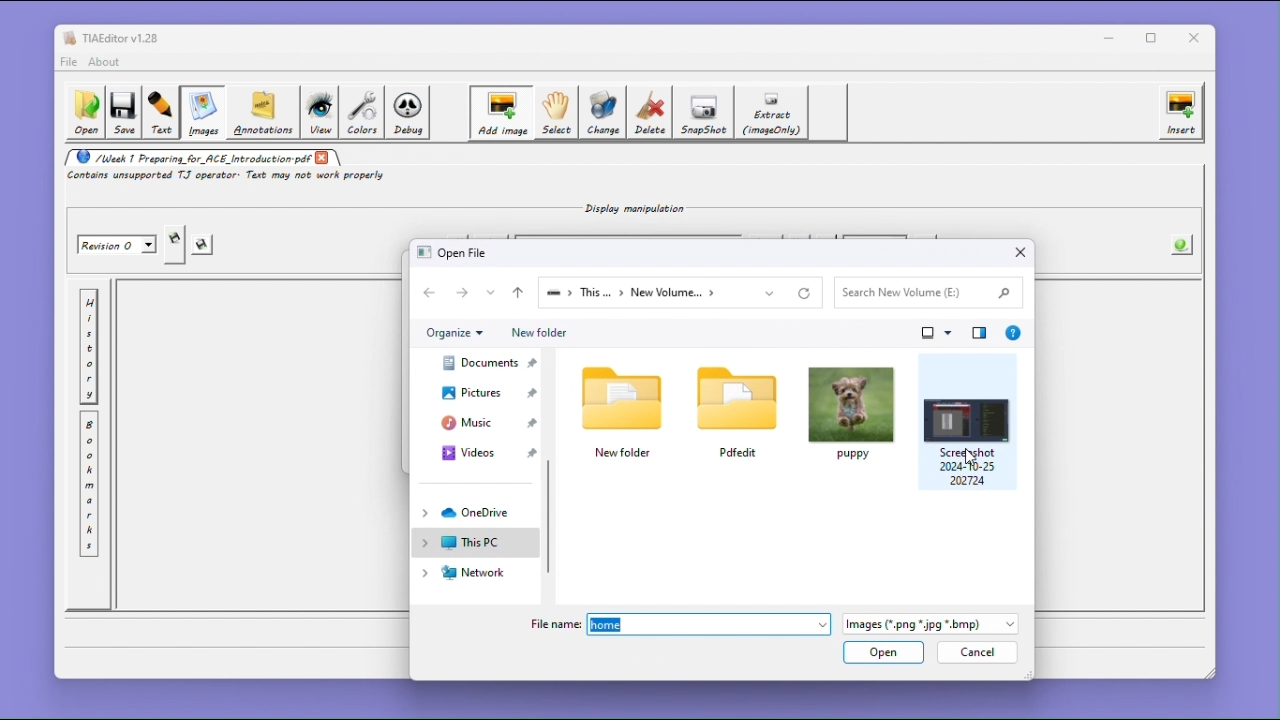 The image size is (1280, 720). What do you see at coordinates (464, 292) in the screenshot?
I see `go forward` at bounding box center [464, 292].